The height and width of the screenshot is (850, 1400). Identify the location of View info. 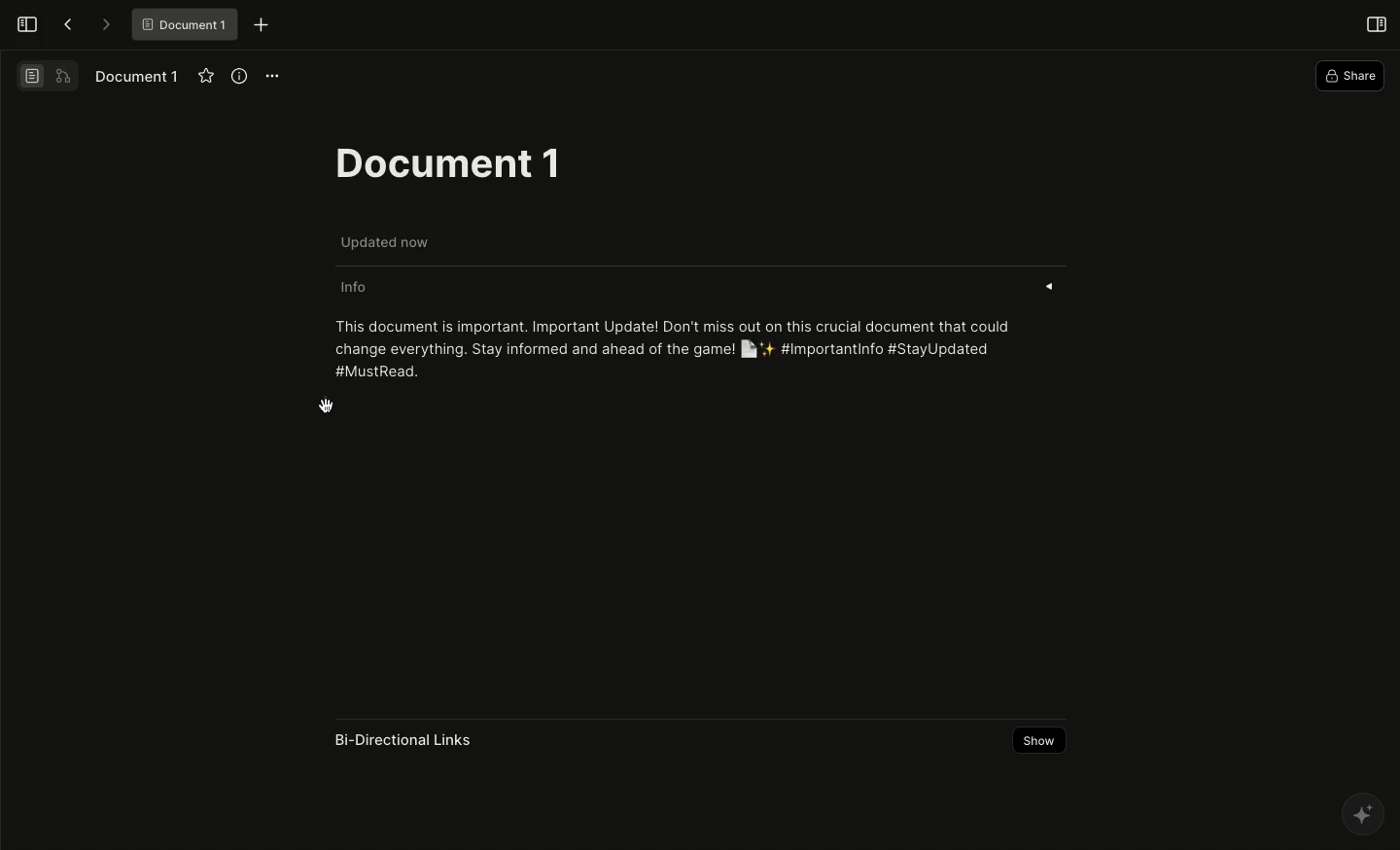
(236, 77).